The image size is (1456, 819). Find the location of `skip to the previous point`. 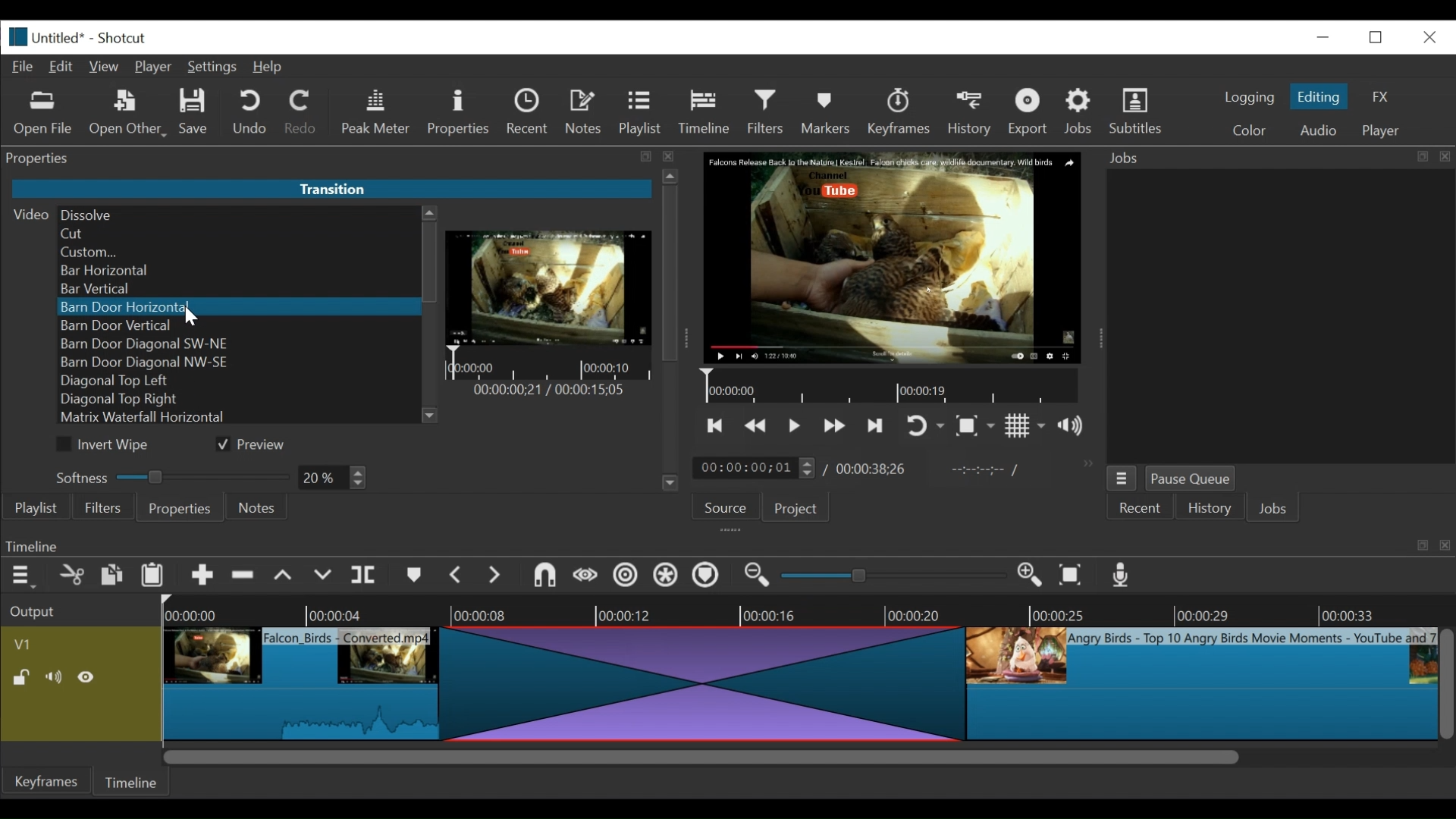

skip to the previous point is located at coordinates (715, 426).